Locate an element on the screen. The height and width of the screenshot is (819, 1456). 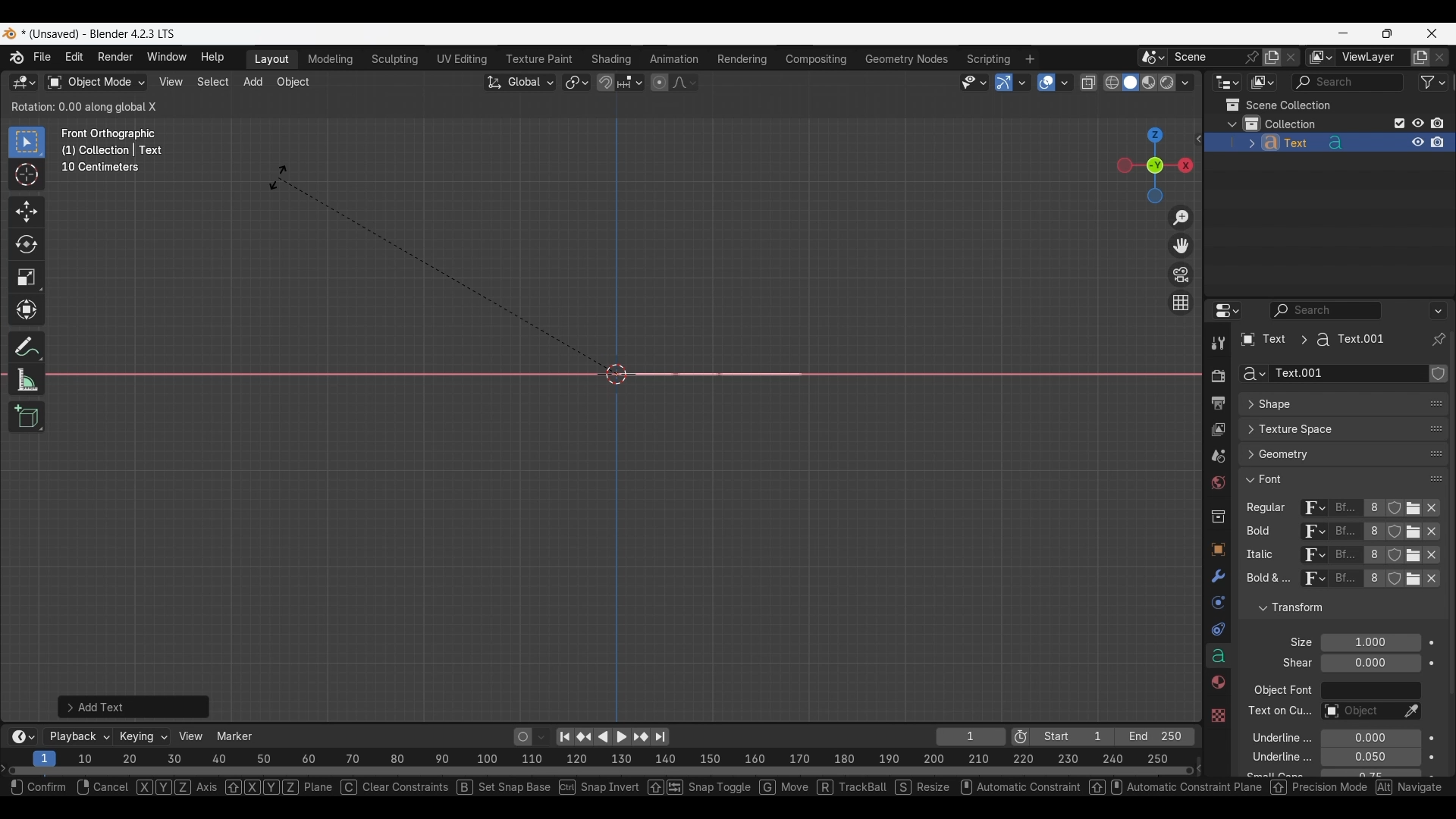
Click to use a preset viewport is located at coordinates (1151, 165).